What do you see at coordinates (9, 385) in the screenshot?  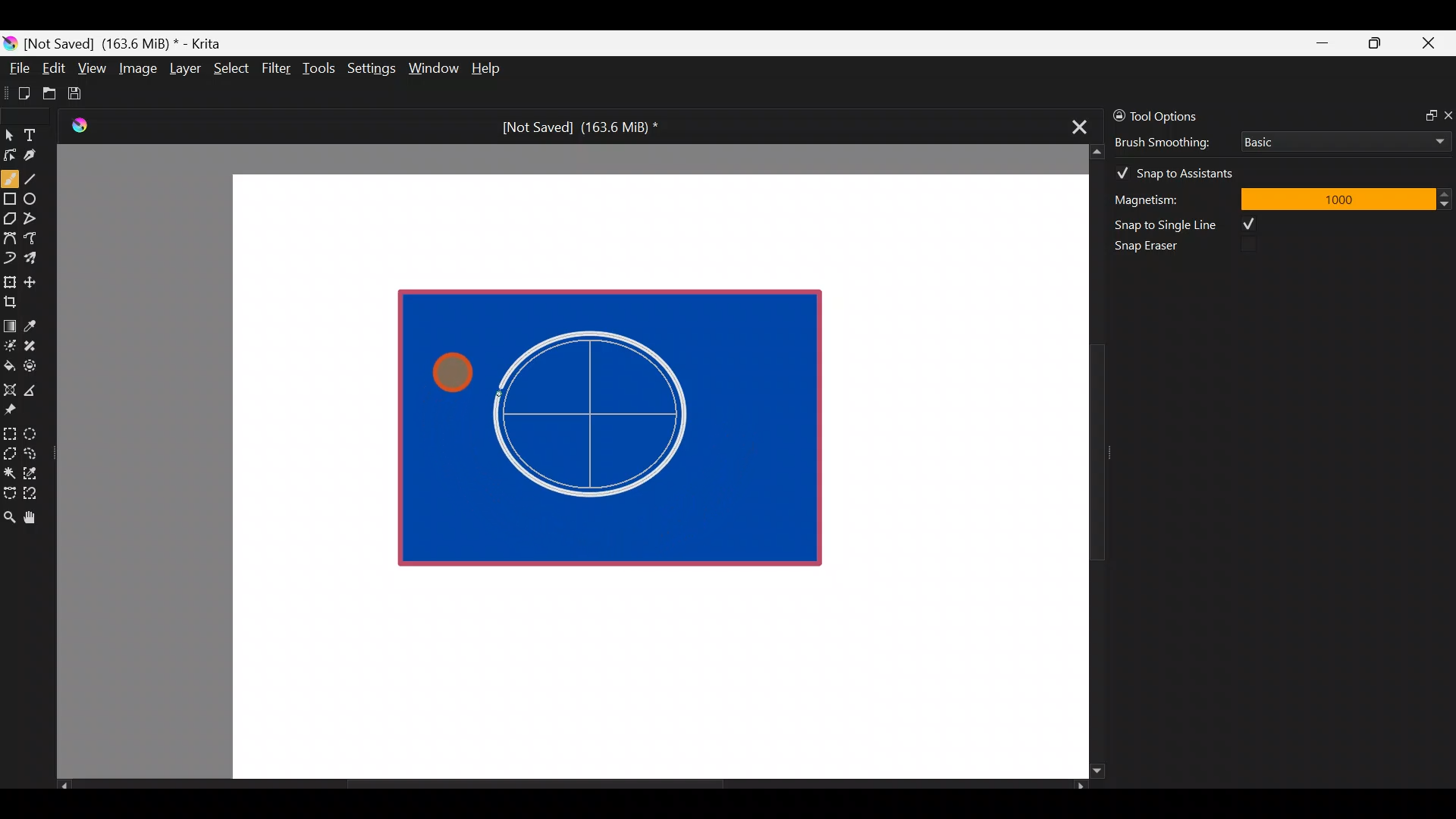 I see `Assistant tool` at bounding box center [9, 385].